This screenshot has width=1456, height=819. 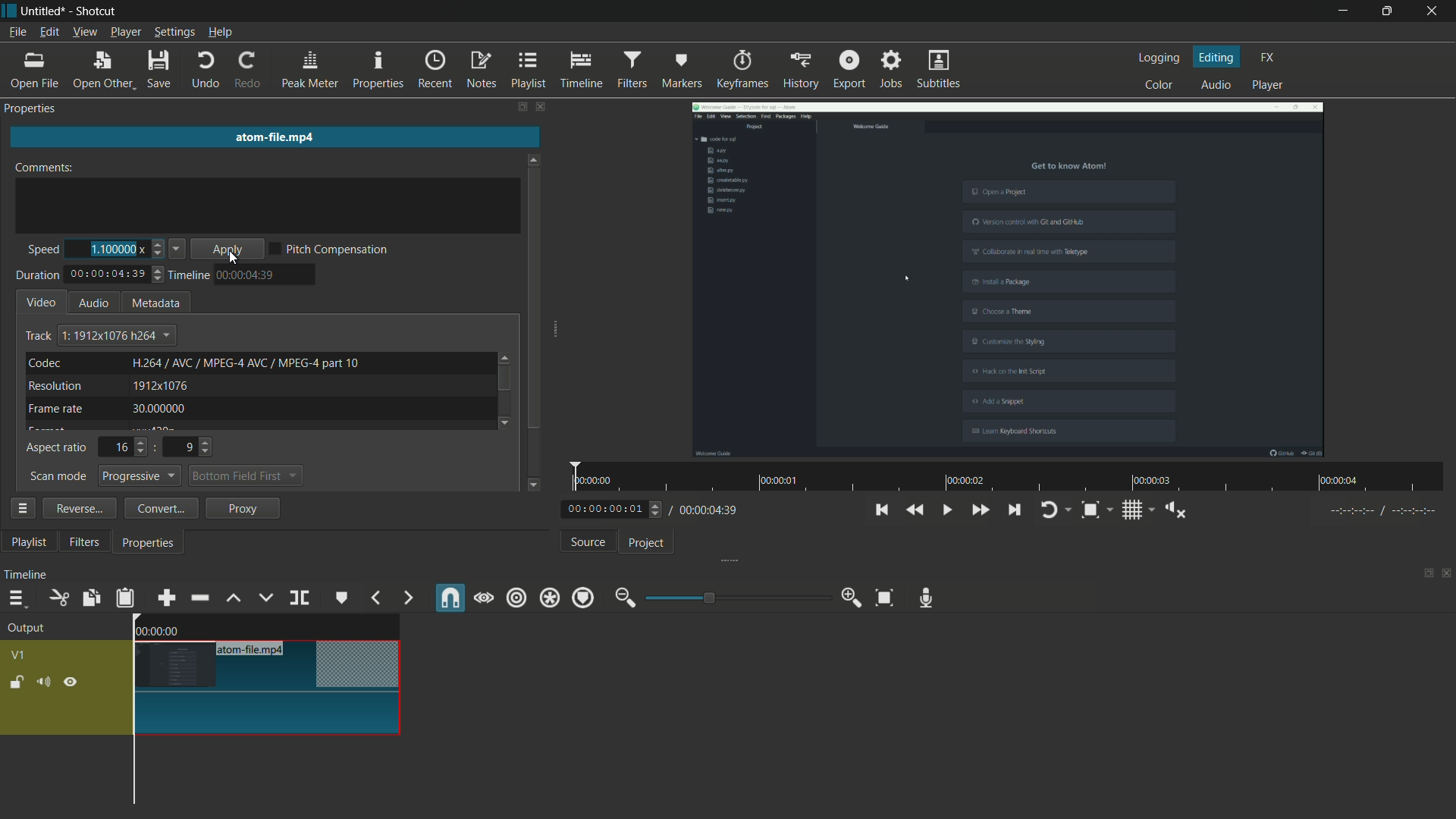 What do you see at coordinates (378, 67) in the screenshot?
I see `properties` at bounding box center [378, 67].